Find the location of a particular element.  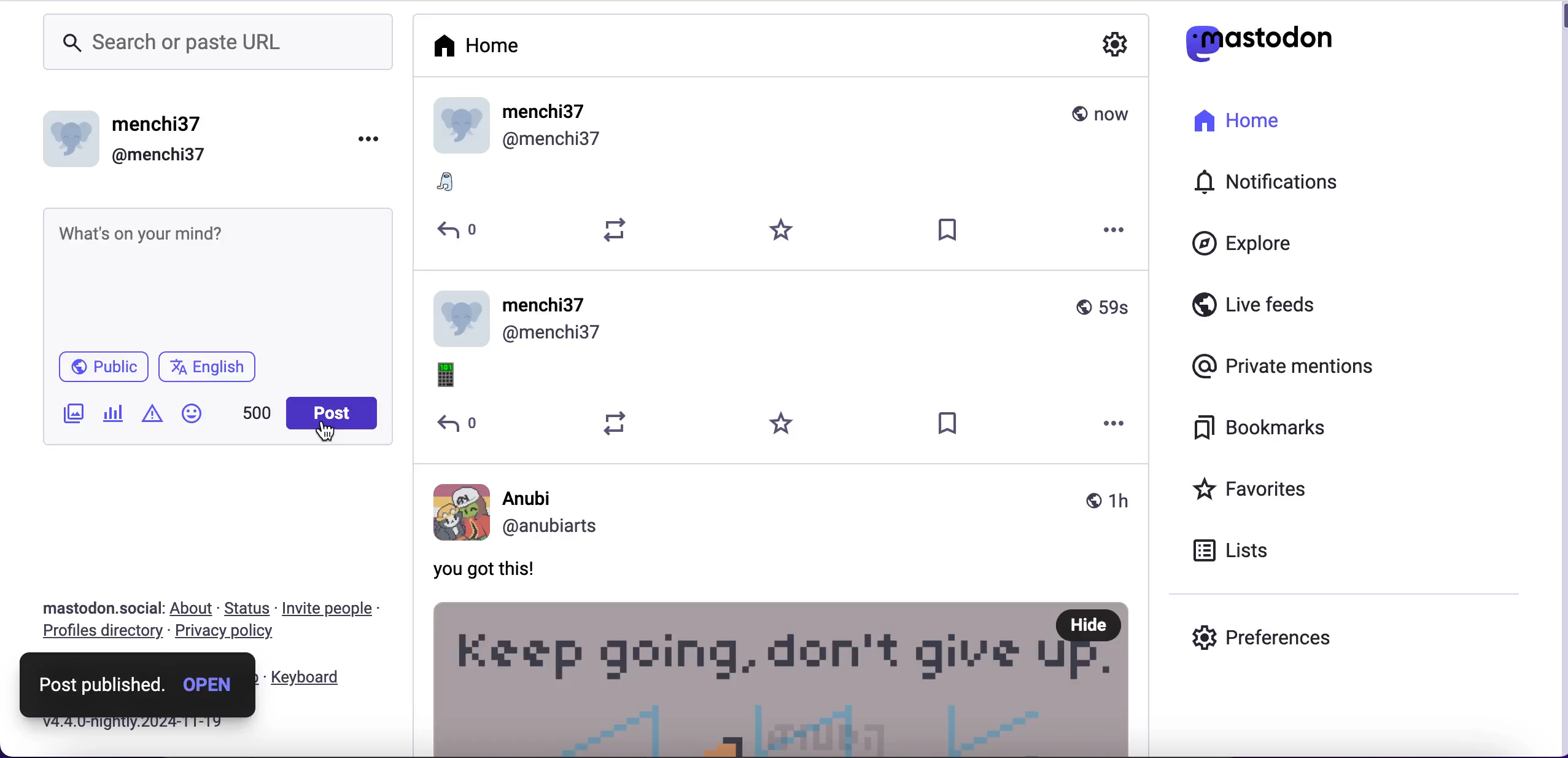

preferences is located at coordinates (1268, 636).